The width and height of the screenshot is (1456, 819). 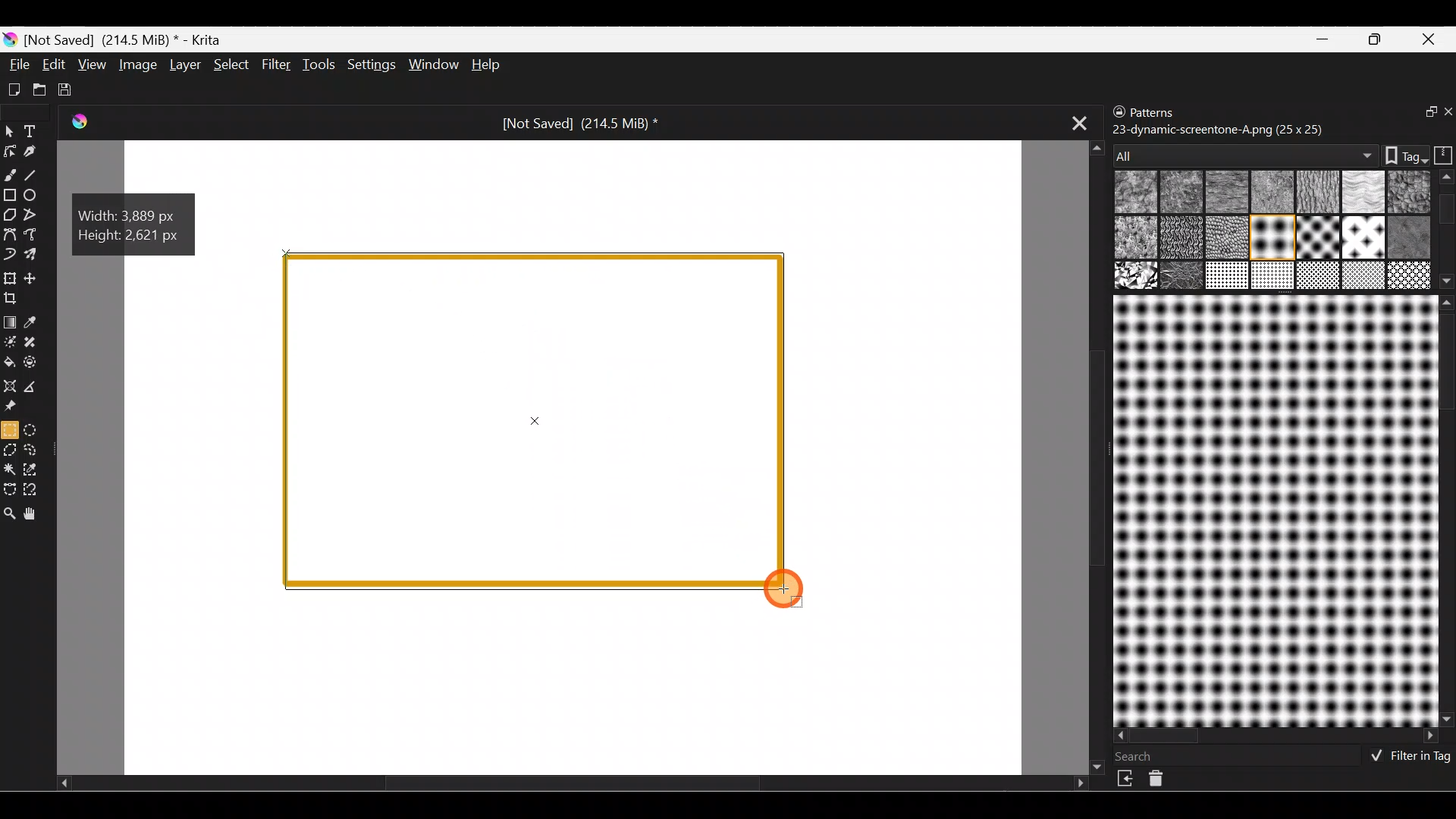 What do you see at coordinates (790, 591) in the screenshot?
I see `Cursor` at bounding box center [790, 591].